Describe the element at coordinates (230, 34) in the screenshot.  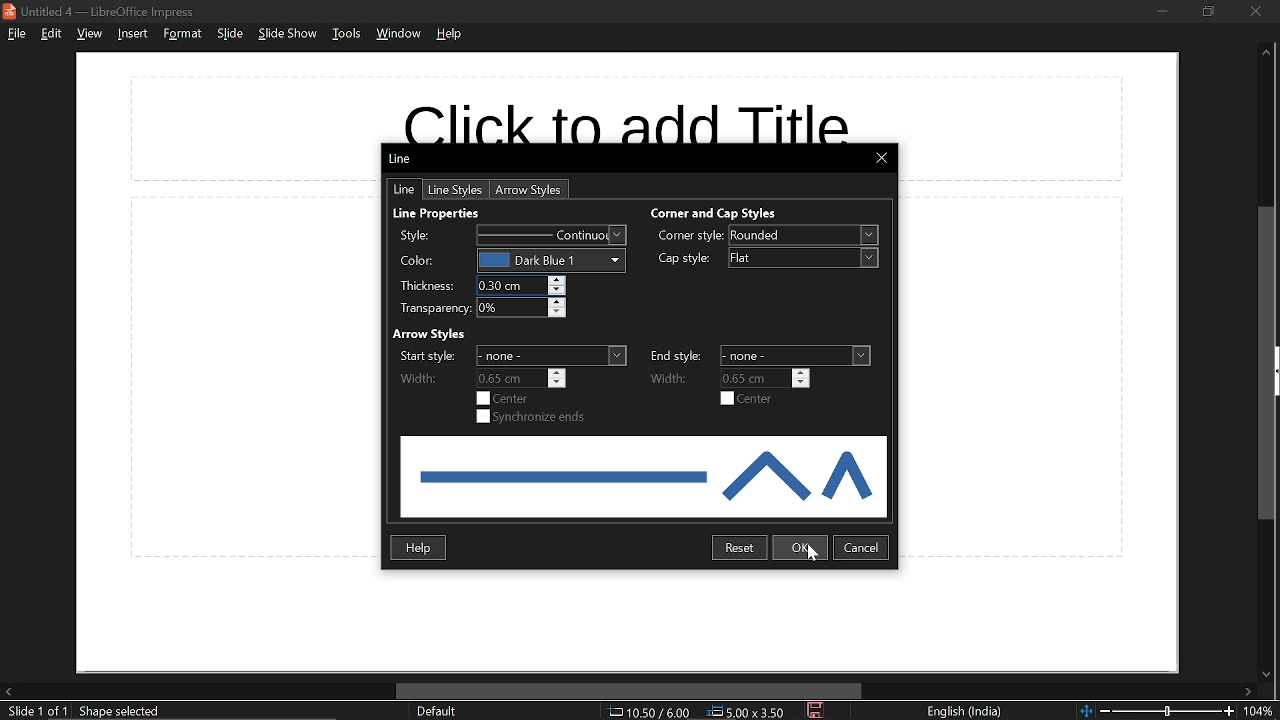
I see `slide` at that location.